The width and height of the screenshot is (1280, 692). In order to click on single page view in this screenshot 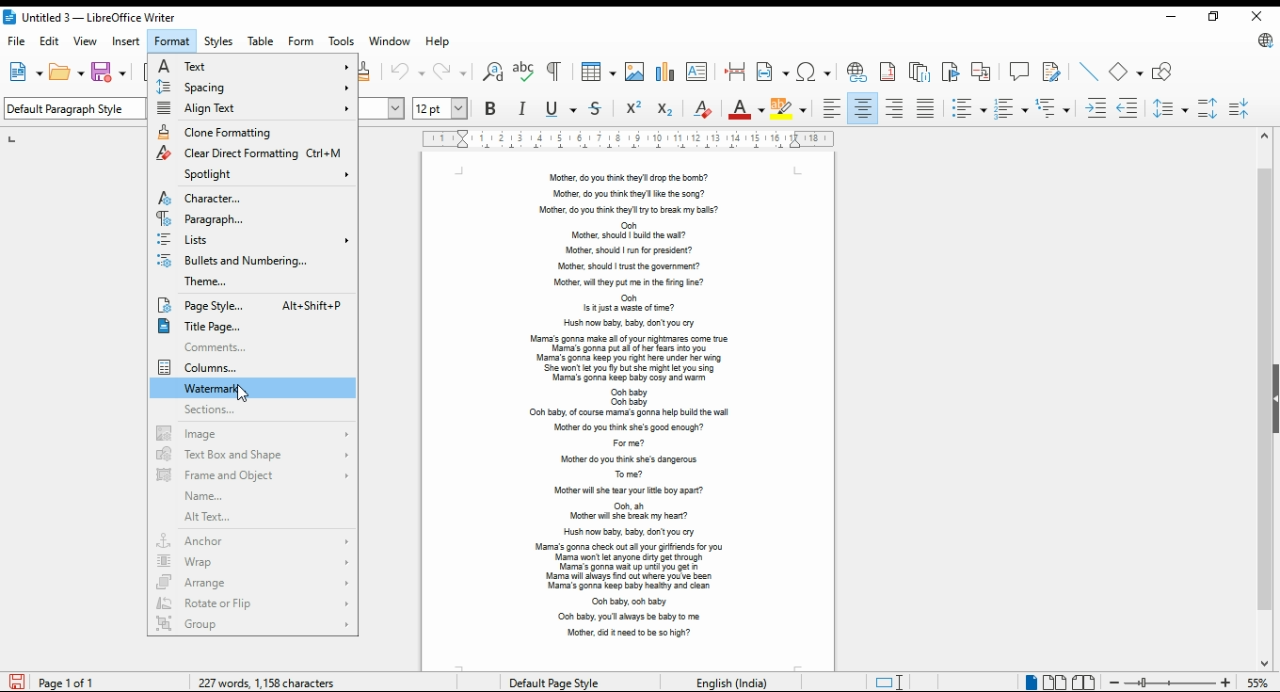, I will do `click(1028, 682)`.